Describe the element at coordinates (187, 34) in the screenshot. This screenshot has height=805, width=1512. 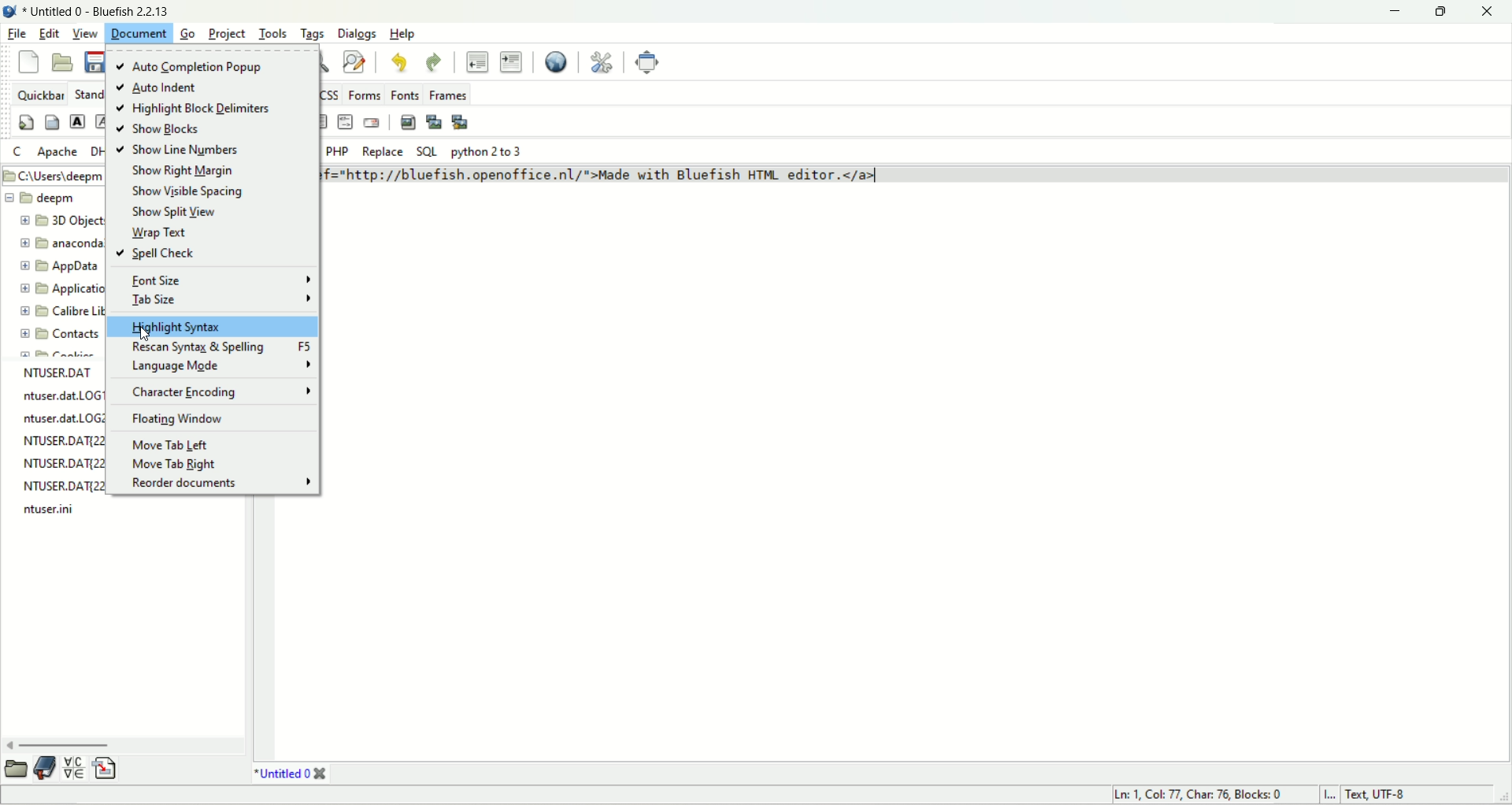
I see `go` at that location.